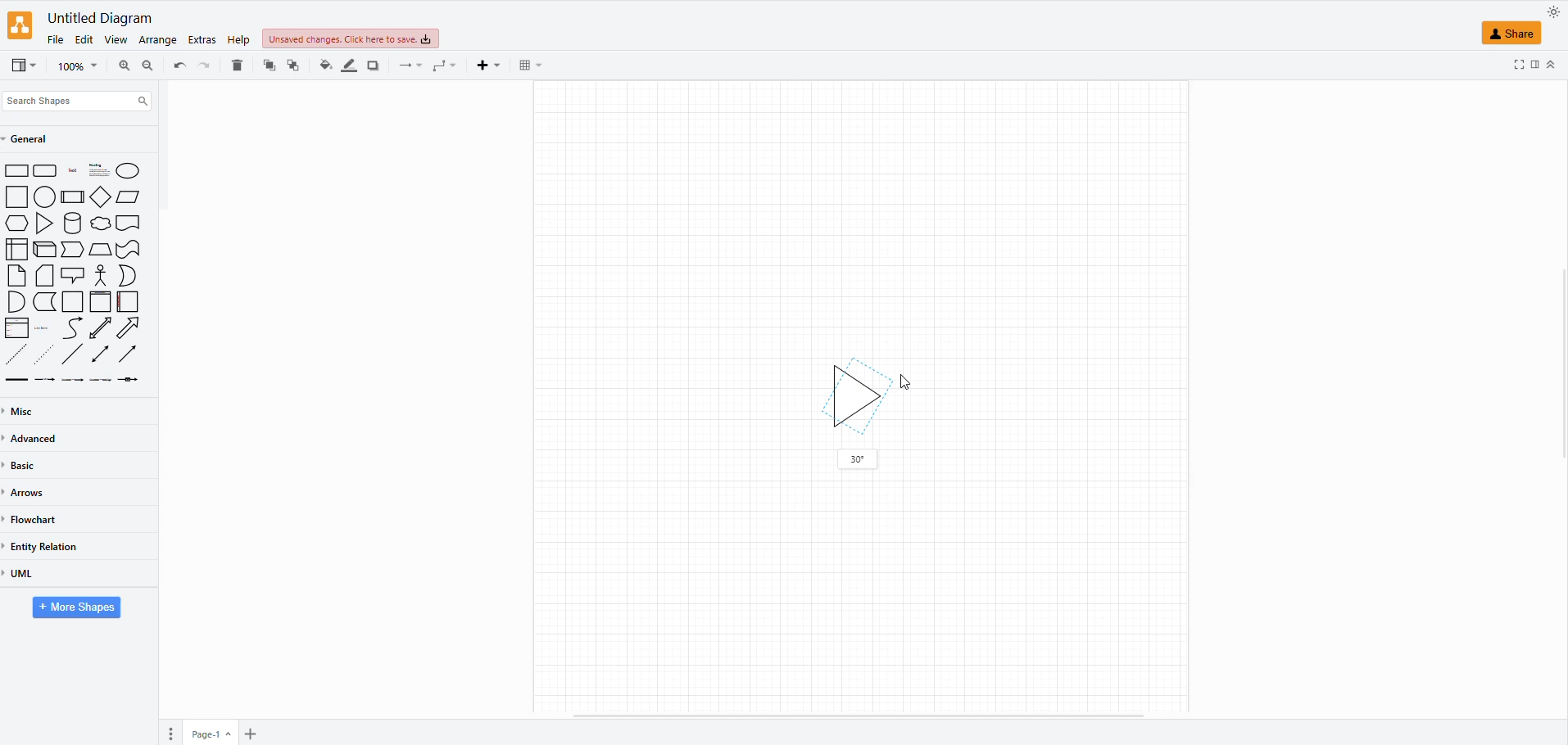 This screenshot has width=1568, height=745. I want to click on Chat Icon, so click(73, 275).